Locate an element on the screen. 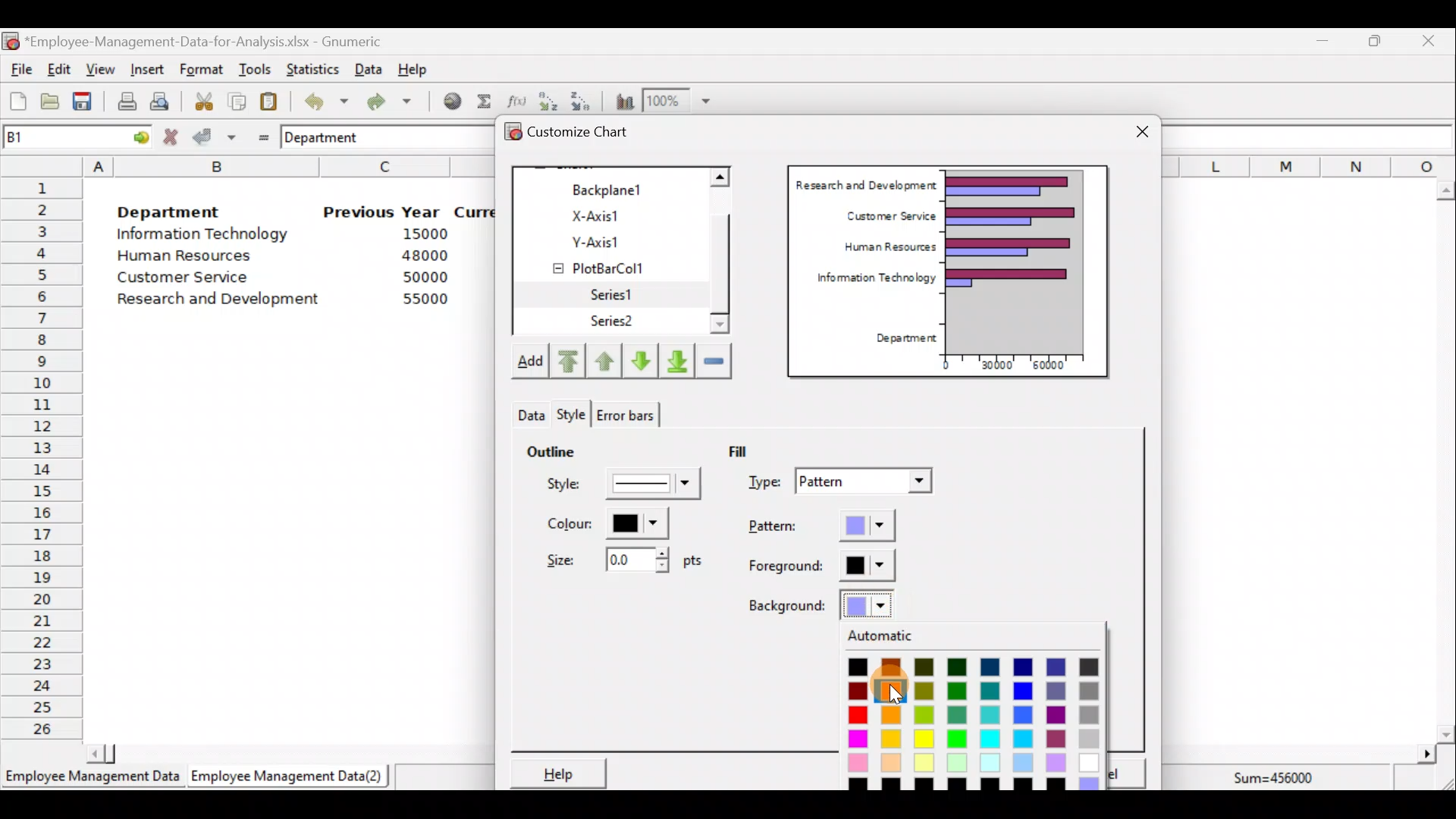 Image resolution: width=1456 pixels, height=819 pixels. Pattern is located at coordinates (836, 527).